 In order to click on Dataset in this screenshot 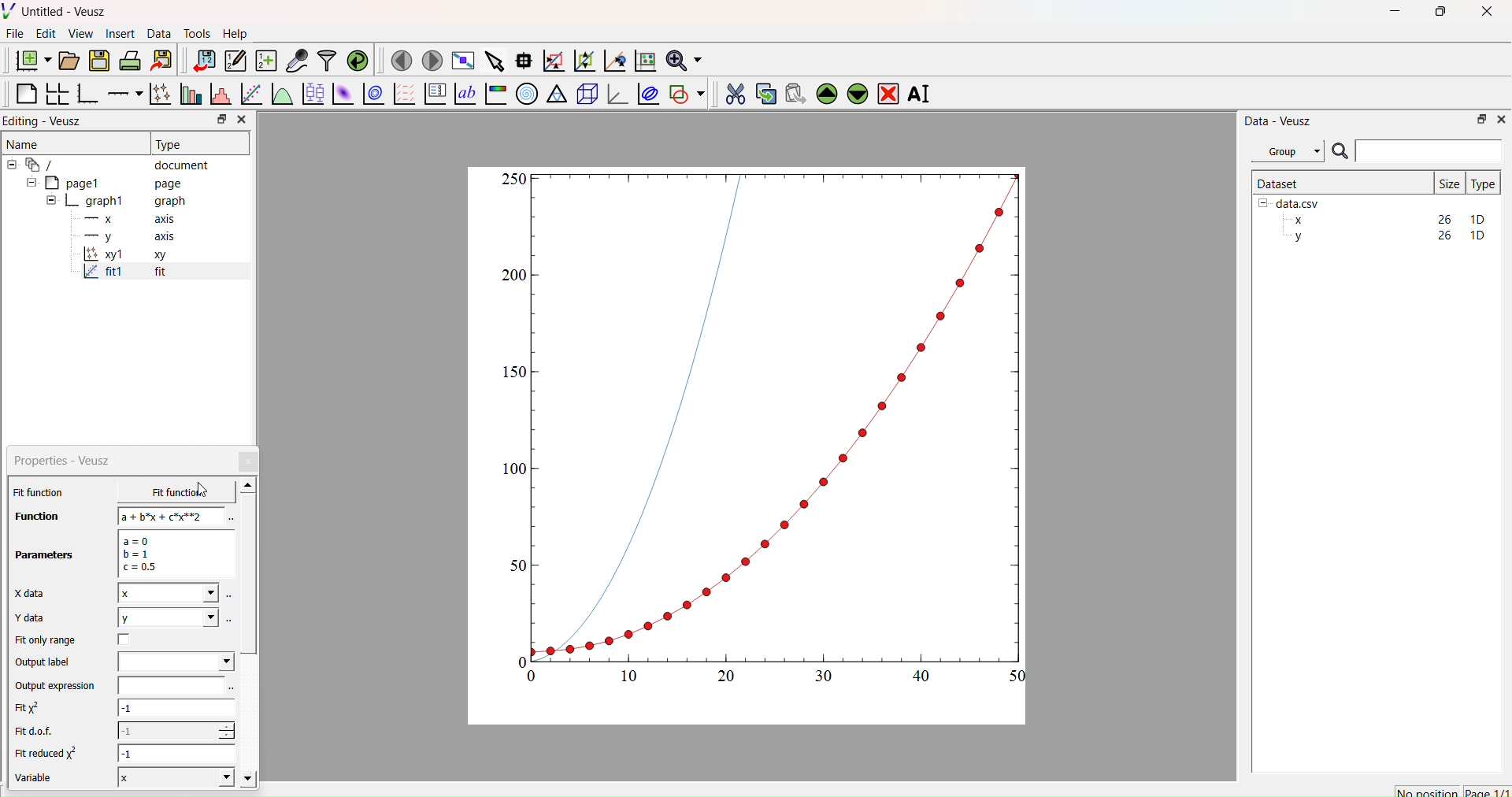, I will do `click(1279, 183)`.